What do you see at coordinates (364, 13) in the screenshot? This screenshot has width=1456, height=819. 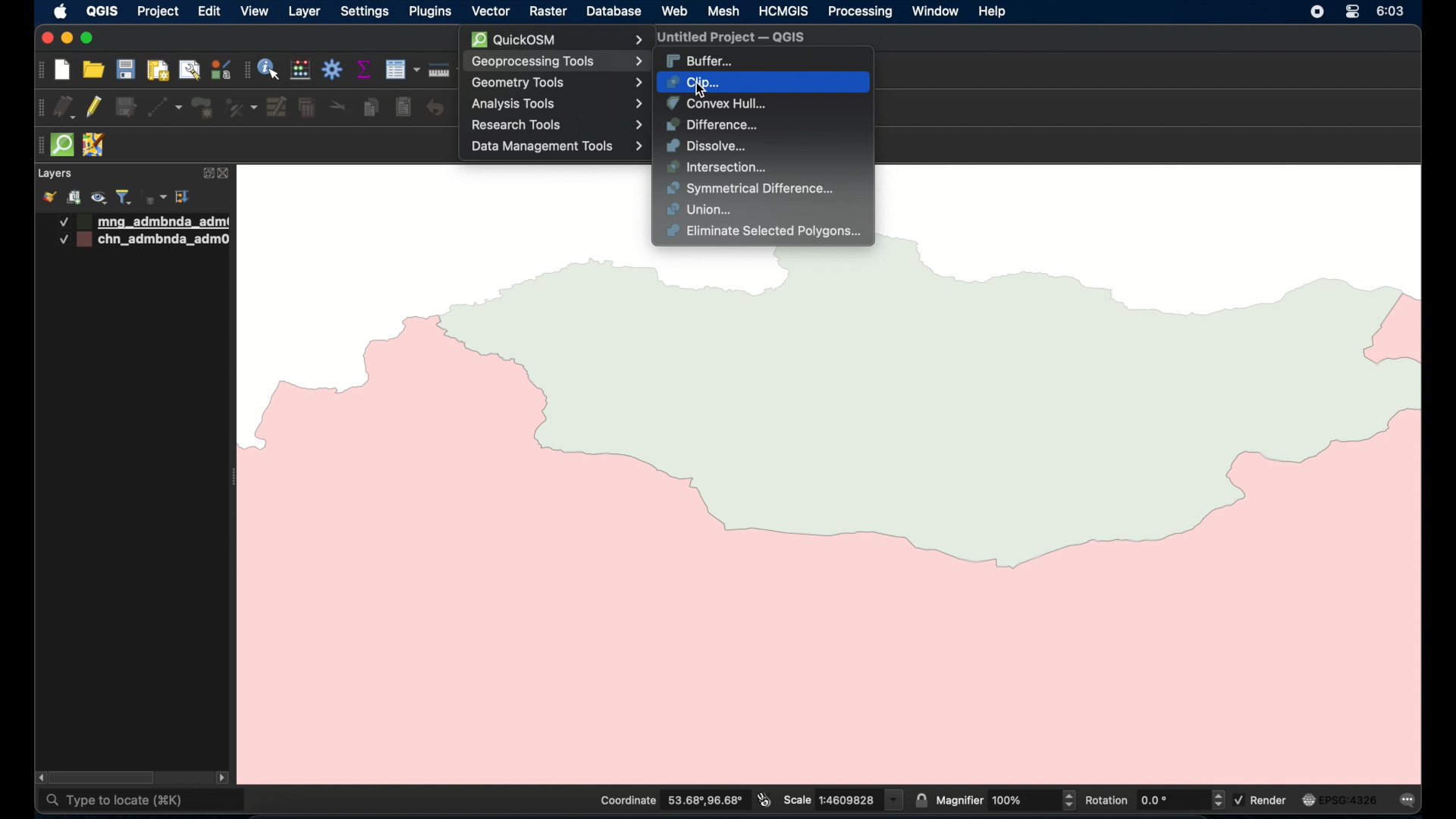 I see `settings` at bounding box center [364, 13].